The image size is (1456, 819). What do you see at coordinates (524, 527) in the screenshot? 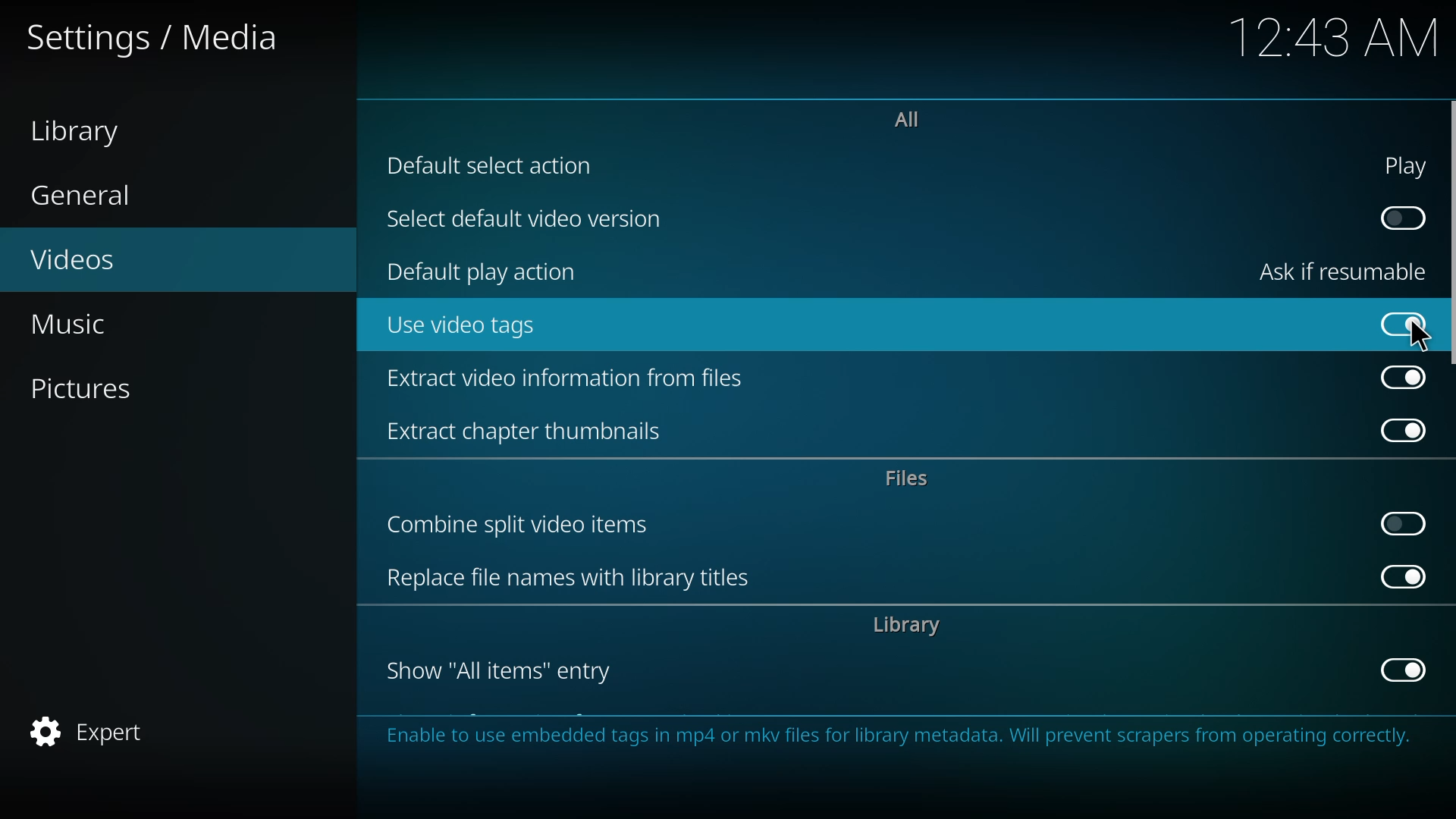
I see `combine split video items` at bounding box center [524, 527].